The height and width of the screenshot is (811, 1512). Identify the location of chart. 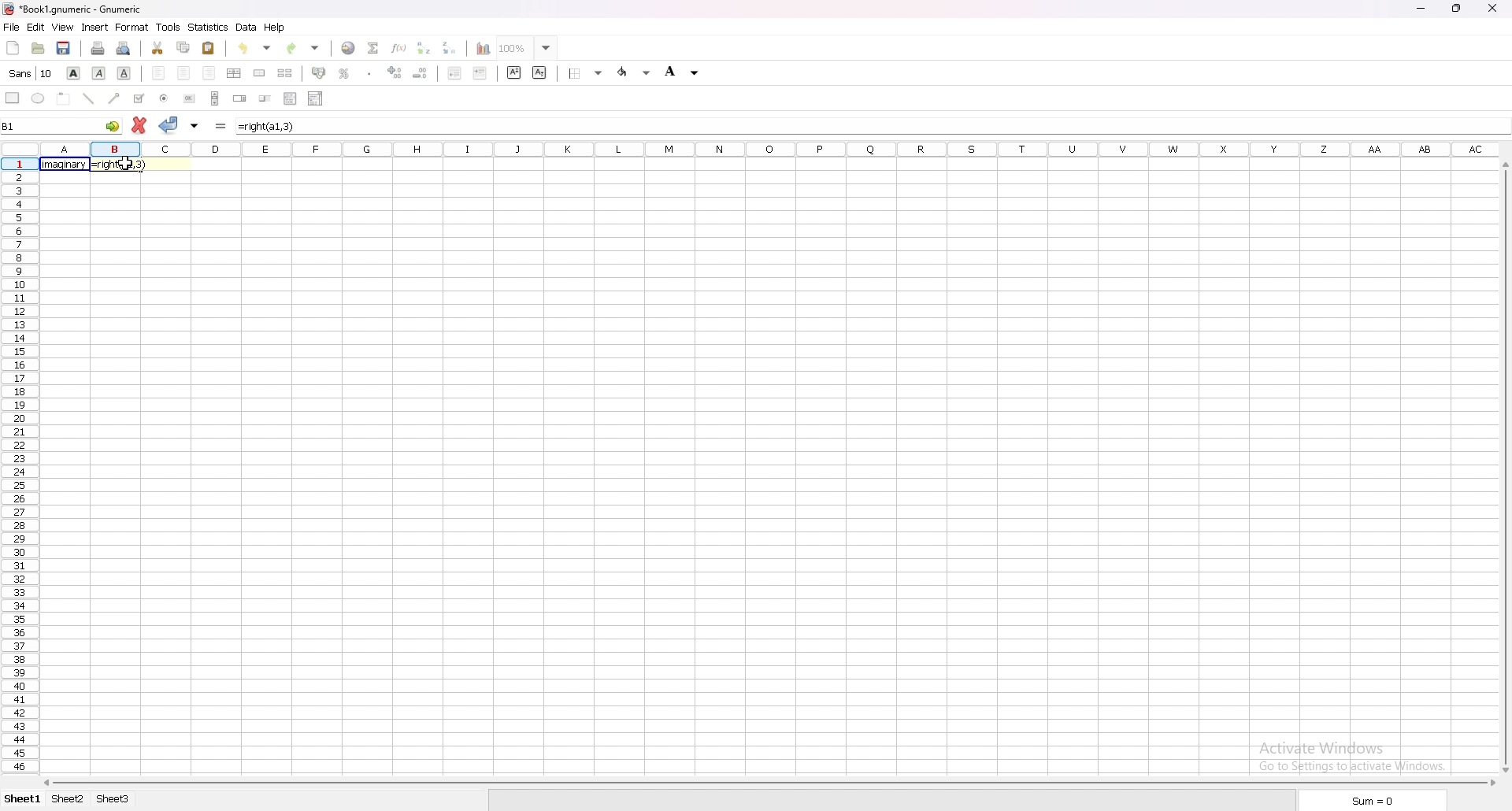
(483, 49).